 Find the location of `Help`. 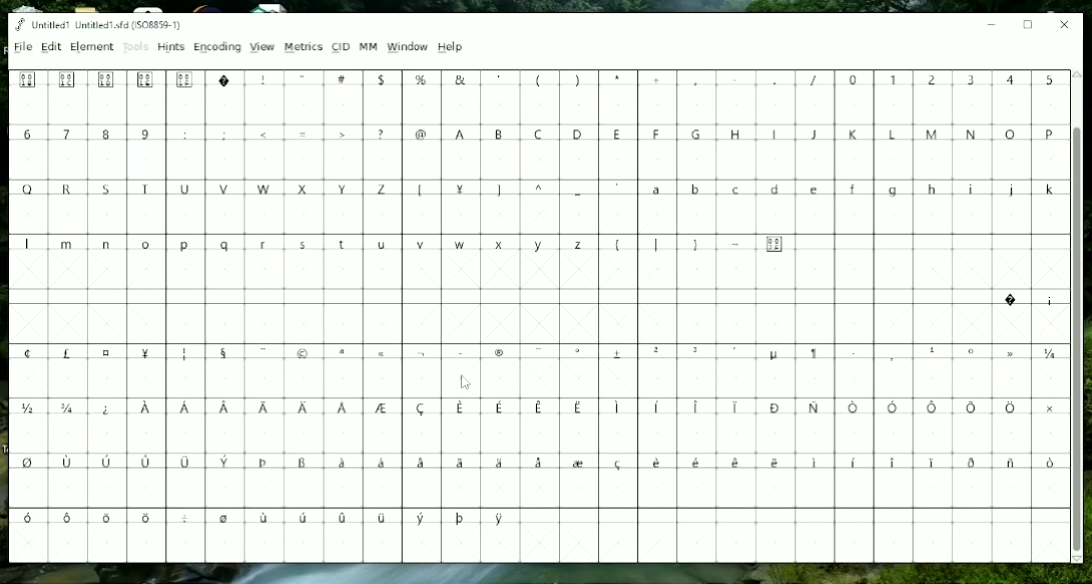

Help is located at coordinates (454, 48).